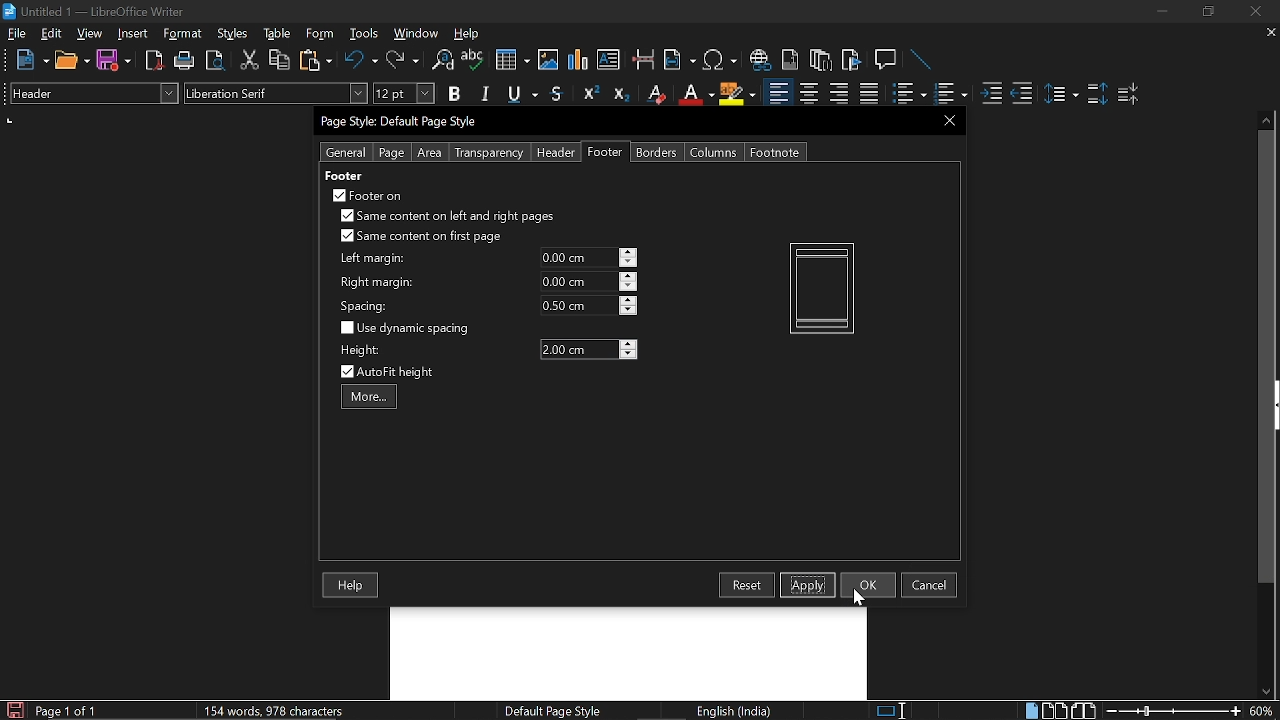 The image size is (1280, 720). I want to click on Insert symbol, so click(722, 60).